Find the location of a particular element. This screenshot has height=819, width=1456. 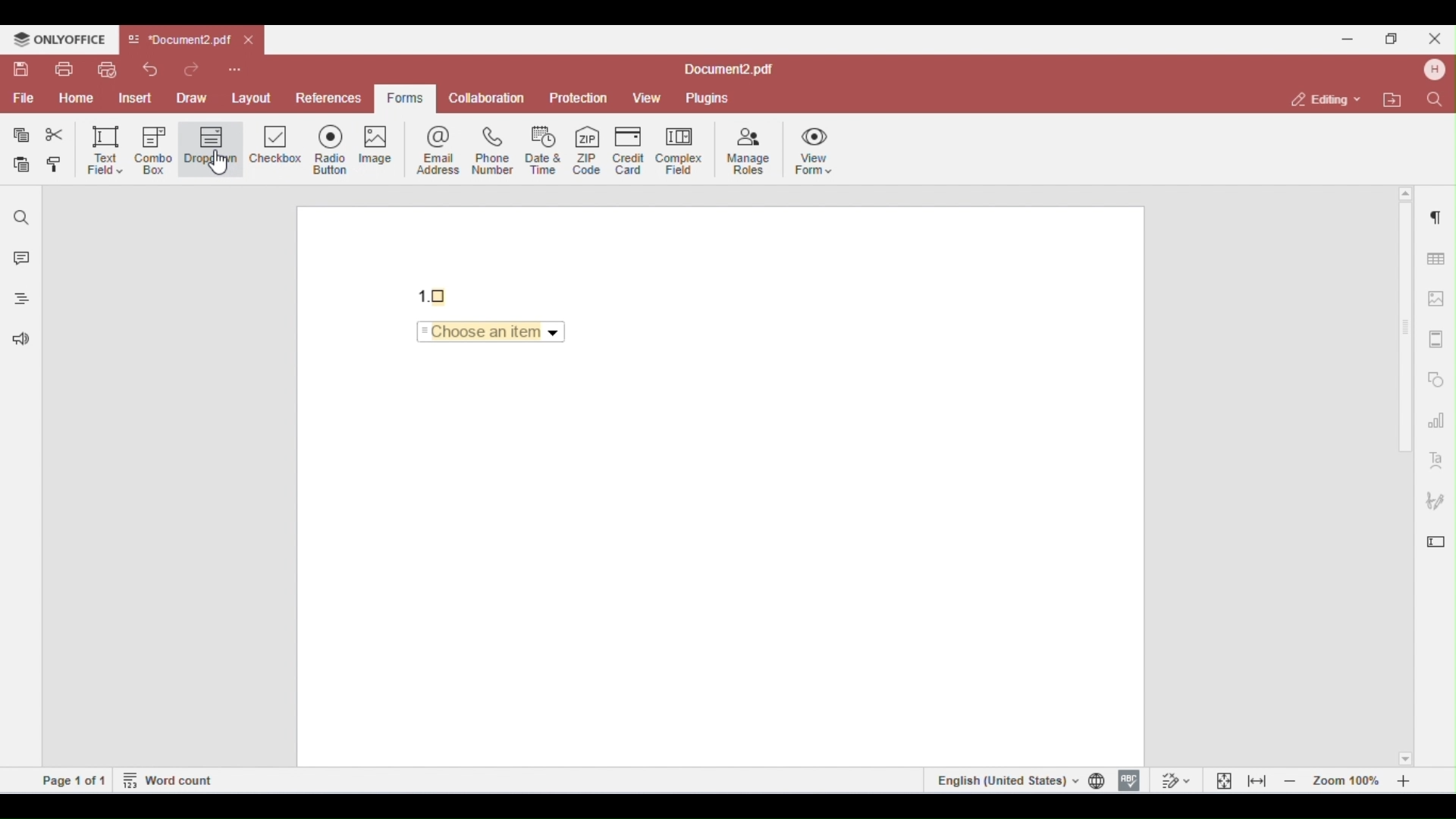

computer field is located at coordinates (679, 149).